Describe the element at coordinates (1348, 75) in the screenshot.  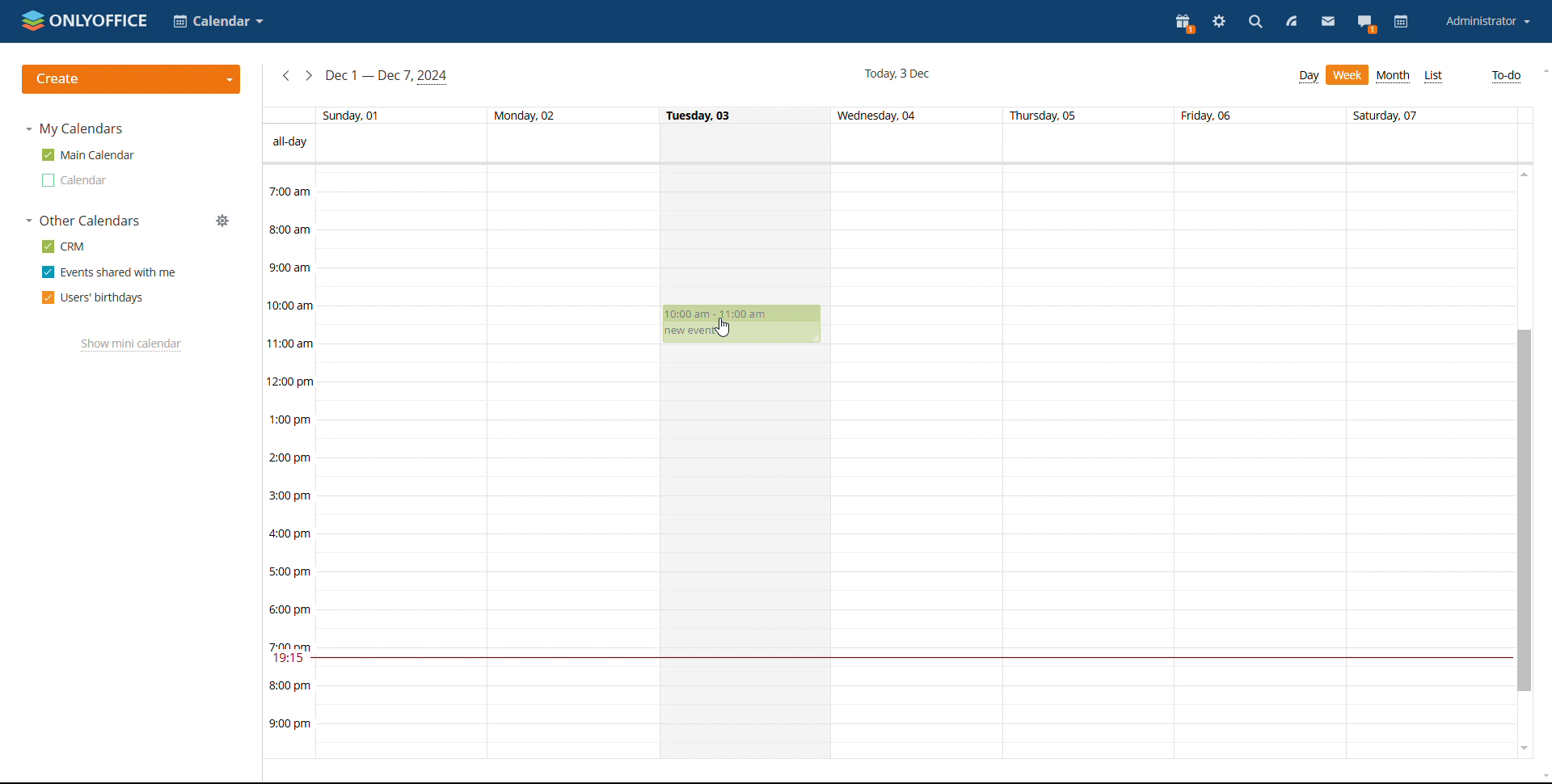
I see `Week` at that location.